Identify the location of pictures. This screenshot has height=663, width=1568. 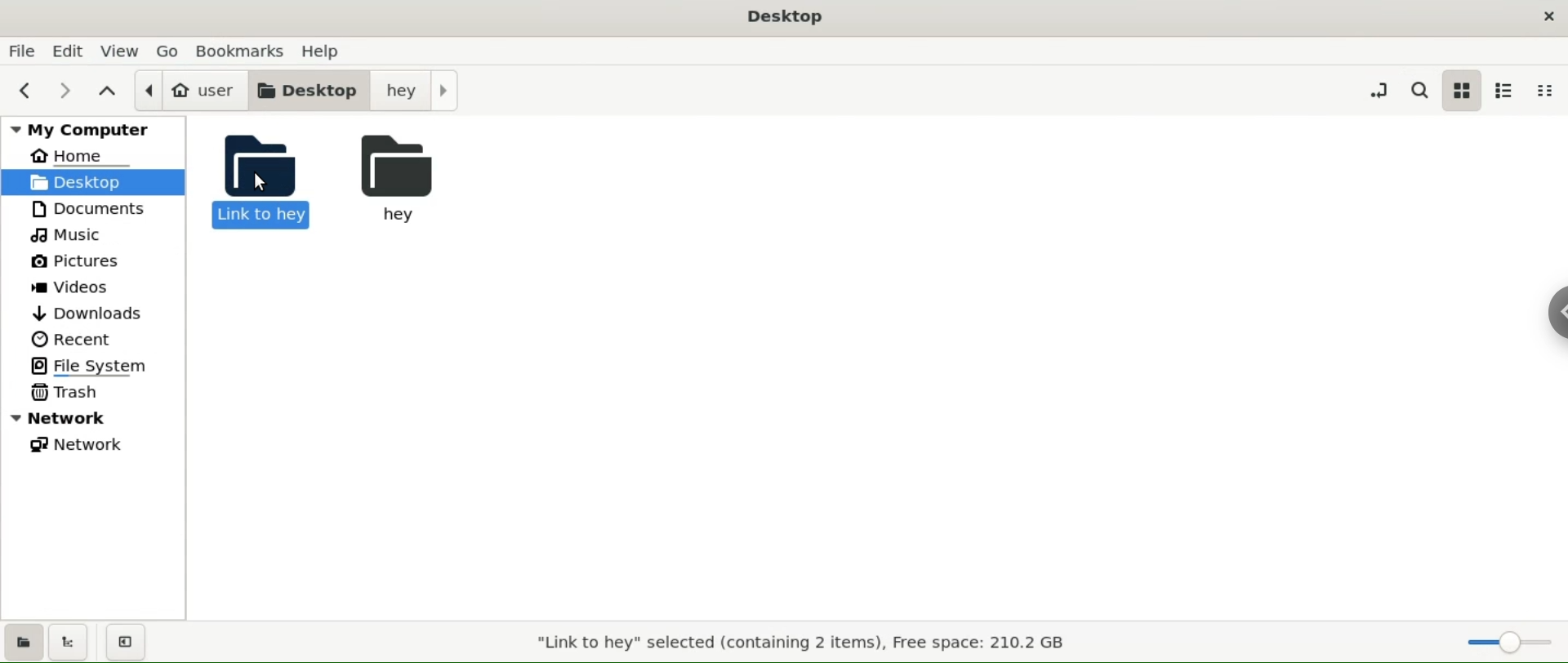
(73, 261).